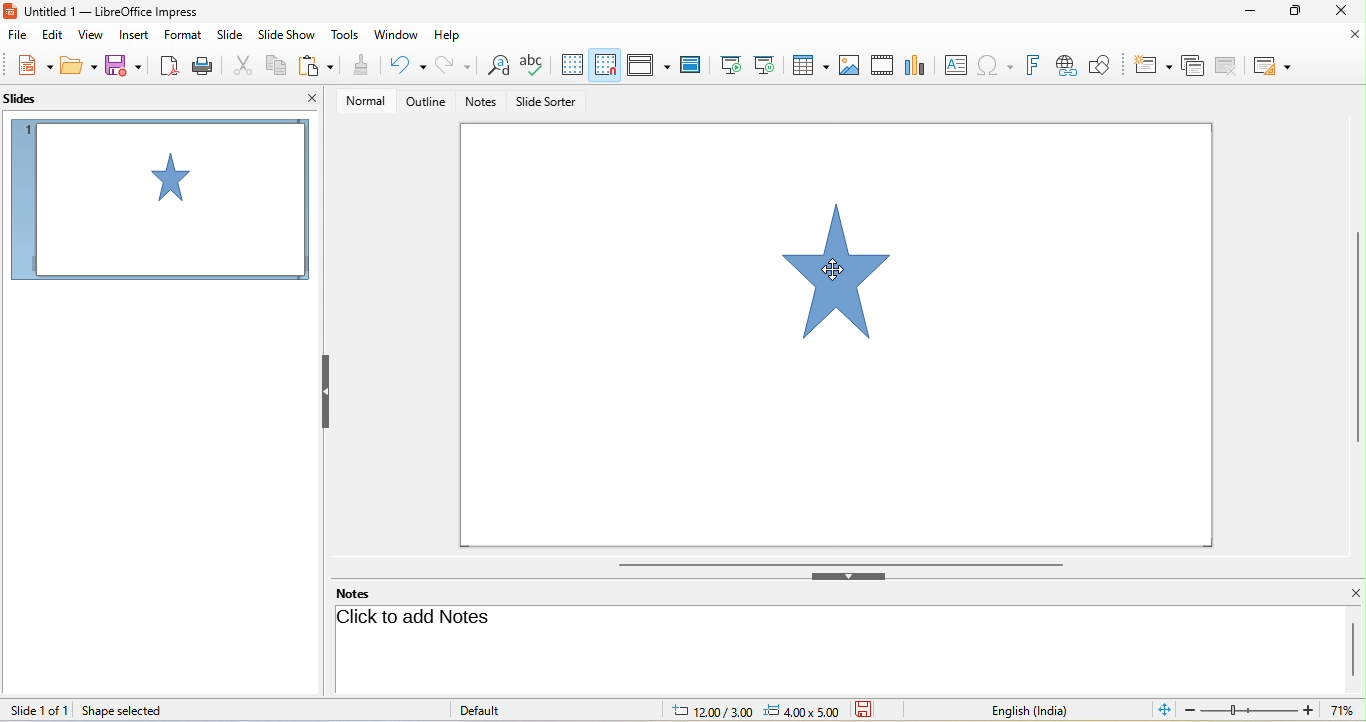 The height and width of the screenshot is (722, 1366). Describe the element at coordinates (605, 62) in the screenshot. I see `snap to grid` at that location.